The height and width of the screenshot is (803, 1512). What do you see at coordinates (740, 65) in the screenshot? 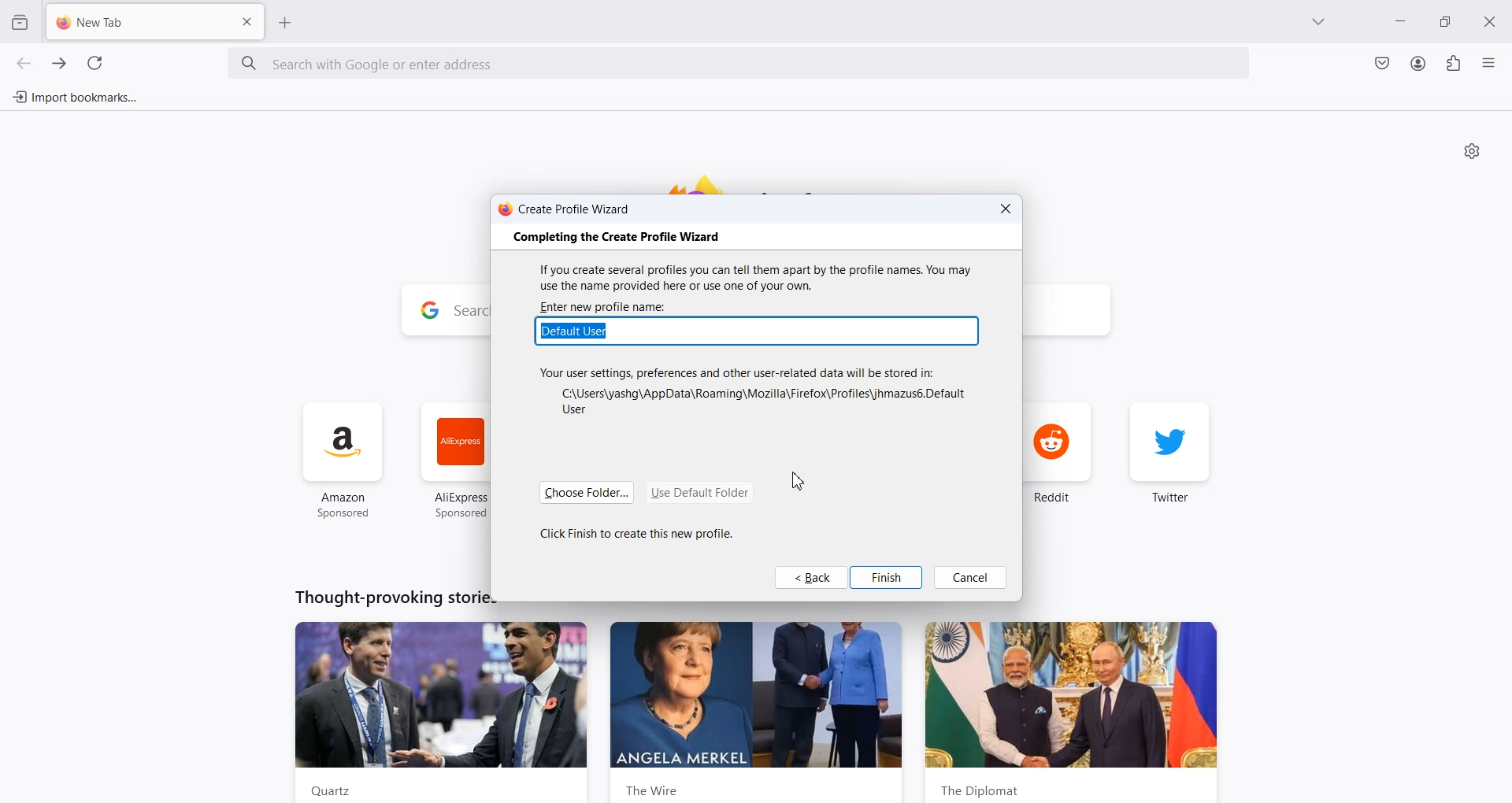
I see `Search bar` at bounding box center [740, 65].